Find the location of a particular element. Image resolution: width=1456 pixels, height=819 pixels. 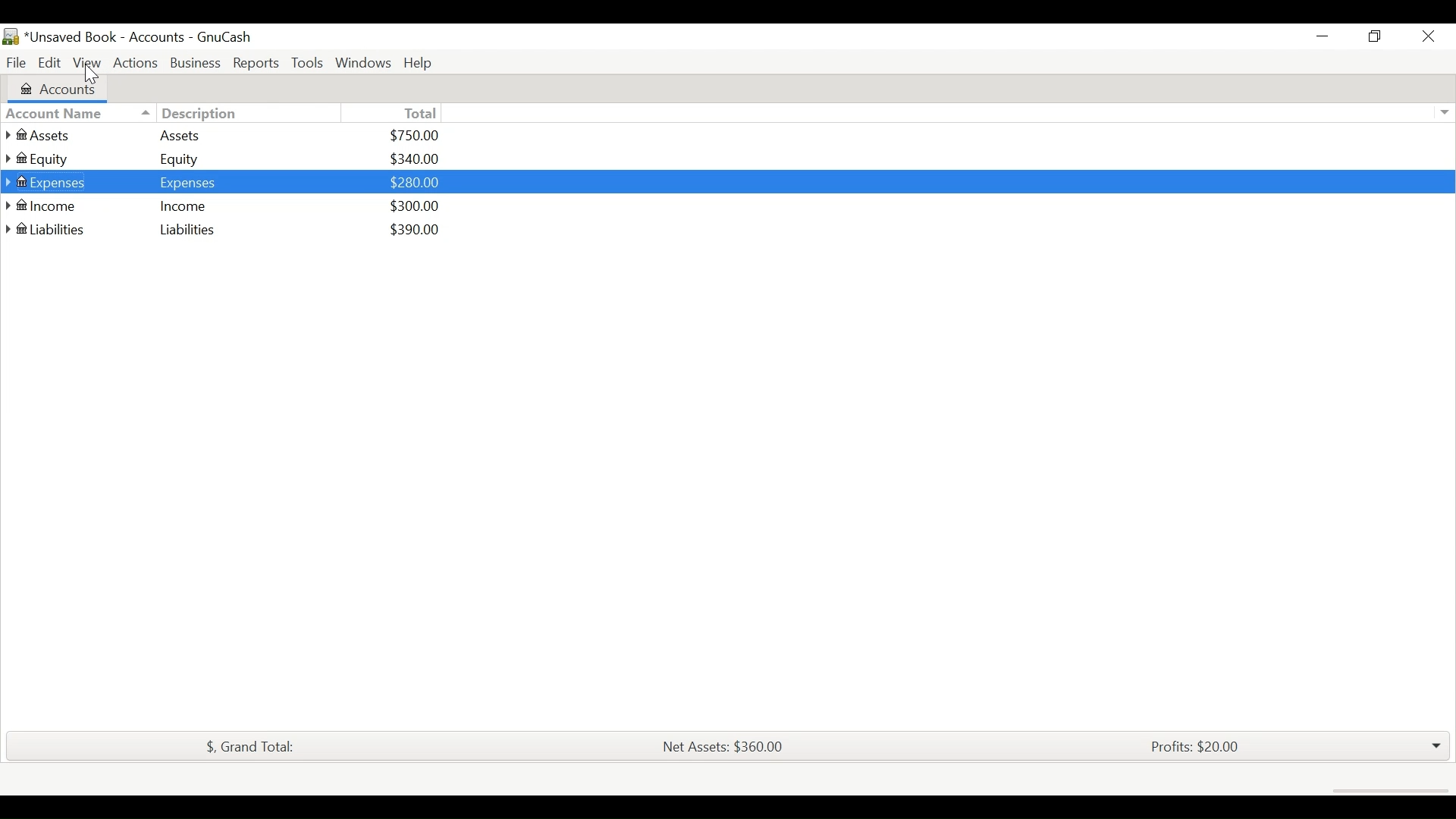

maximize is located at coordinates (1373, 39).